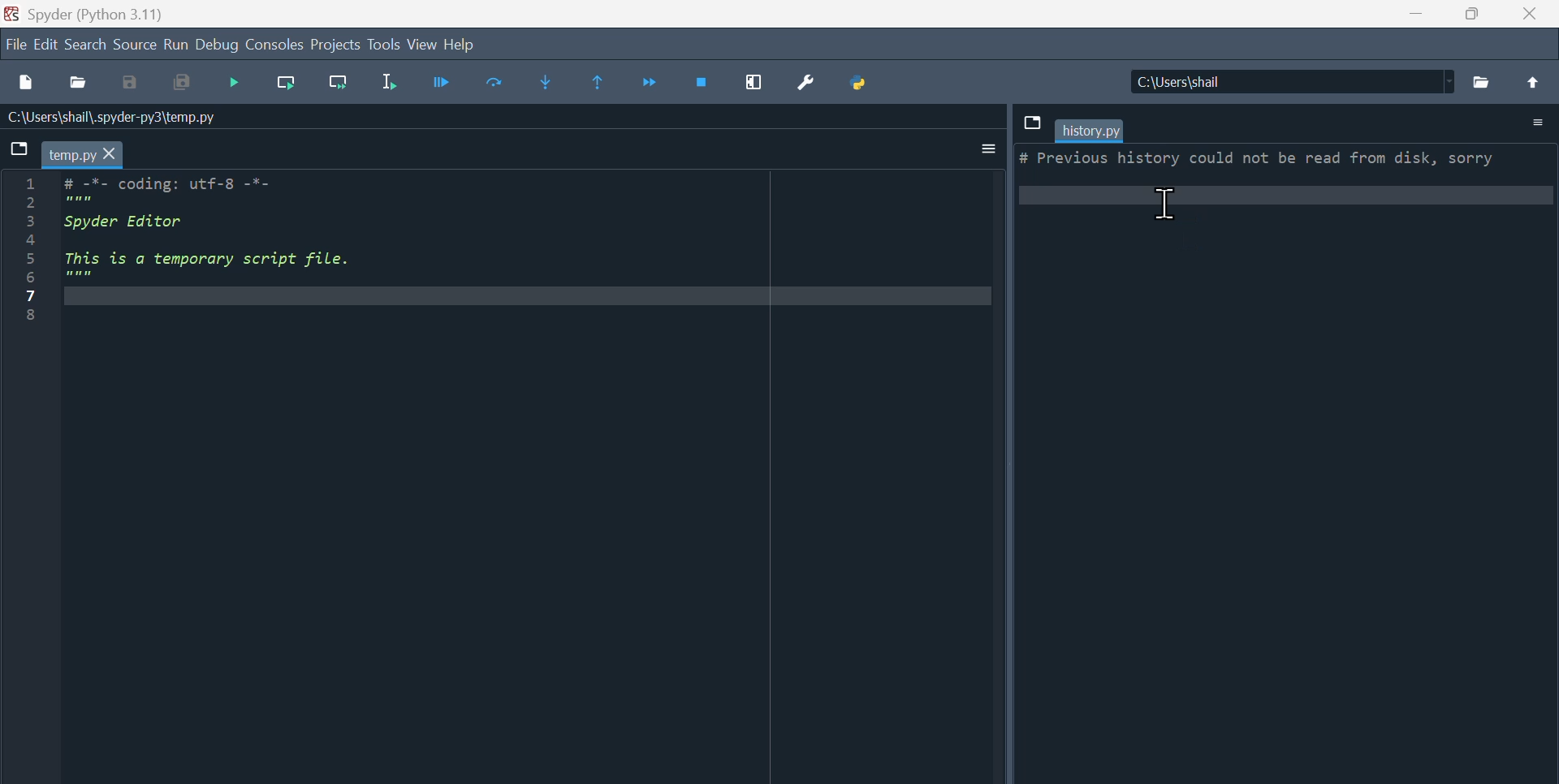  Describe the element at coordinates (755, 83) in the screenshot. I see `Maximise current window` at that location.